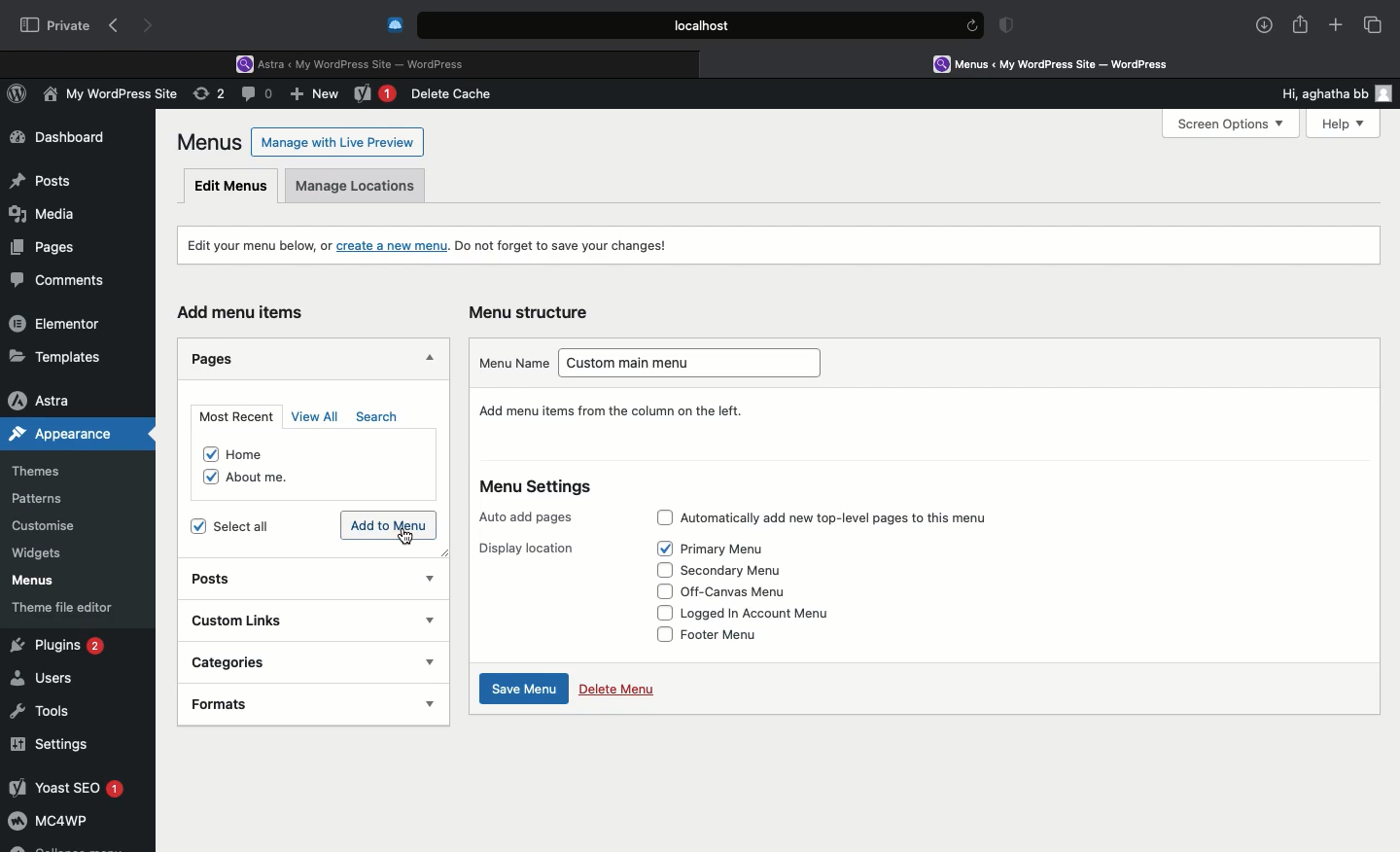 Image resolution: width=1400 pixels, height=852 pixels. Describe the element at coordinates (520, 690) in the screenshot. I see `Save menu` at that location.